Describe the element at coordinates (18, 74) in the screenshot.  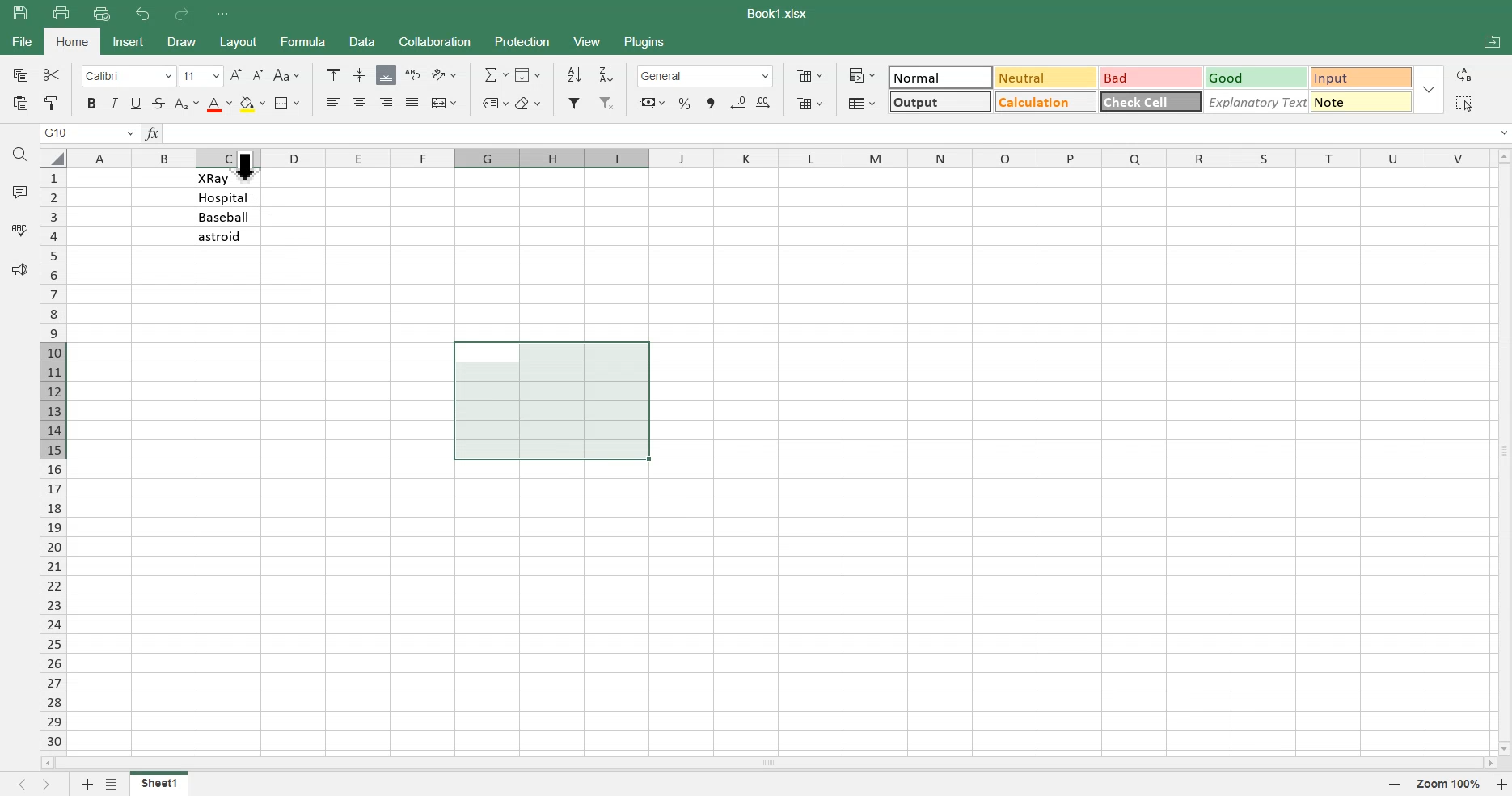
I see `Copy` at that location.